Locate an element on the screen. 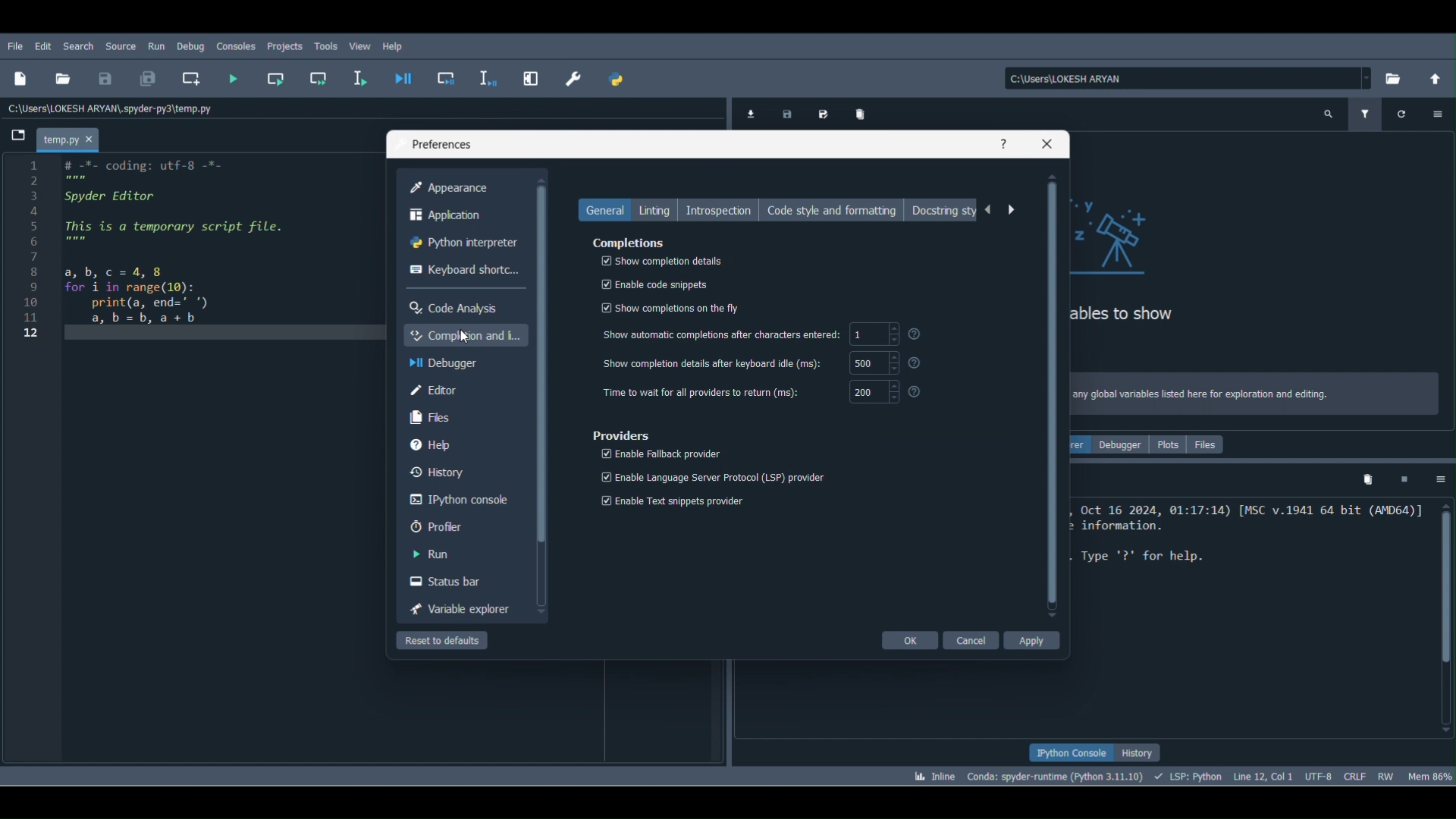 Image resolution: width=1456 pixels, height=819 pixels. Version is located at coordinates (1054, 776).